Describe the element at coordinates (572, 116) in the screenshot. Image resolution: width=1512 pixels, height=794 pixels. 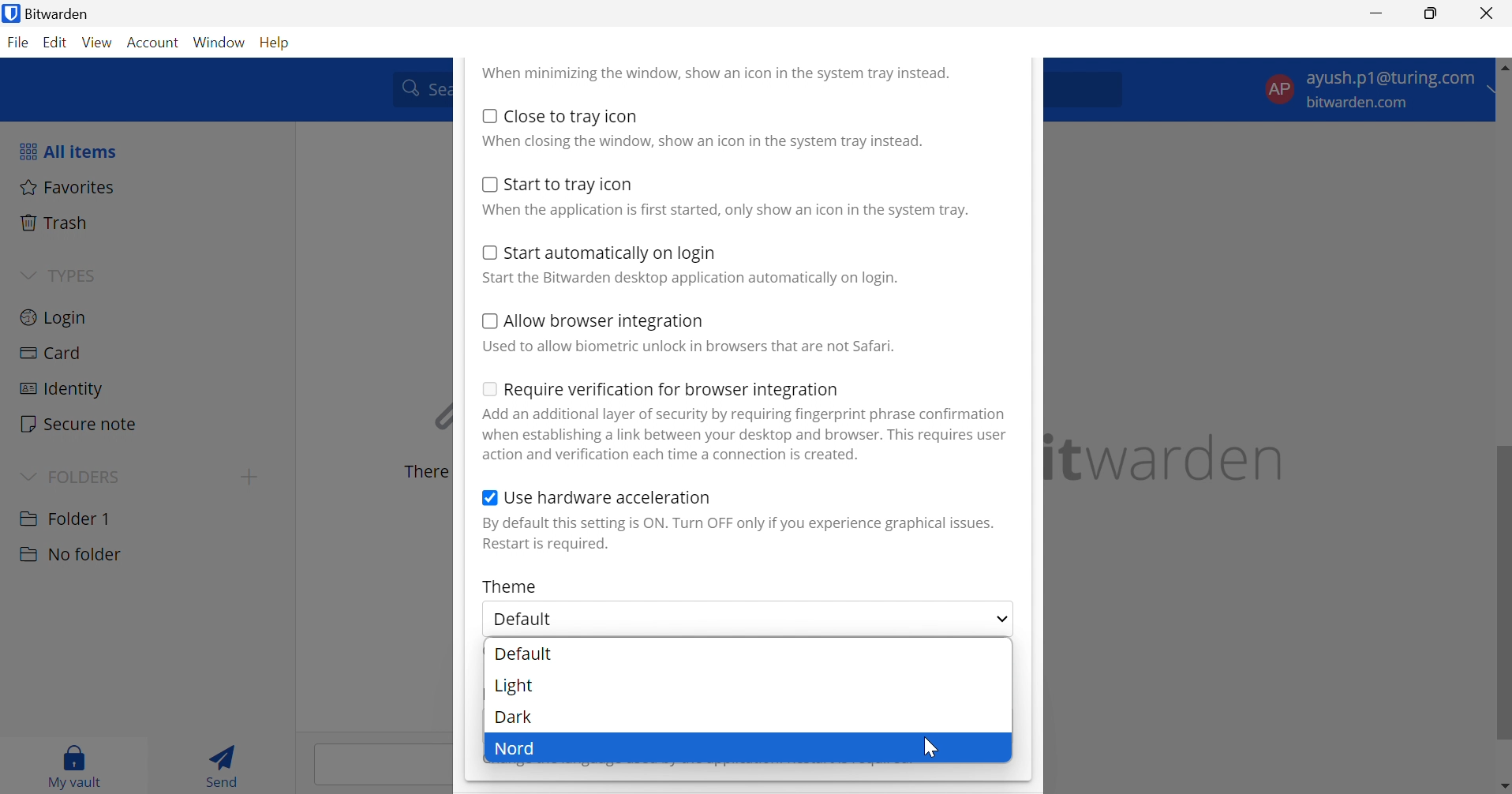
I see `Close to tray icon` at that location.